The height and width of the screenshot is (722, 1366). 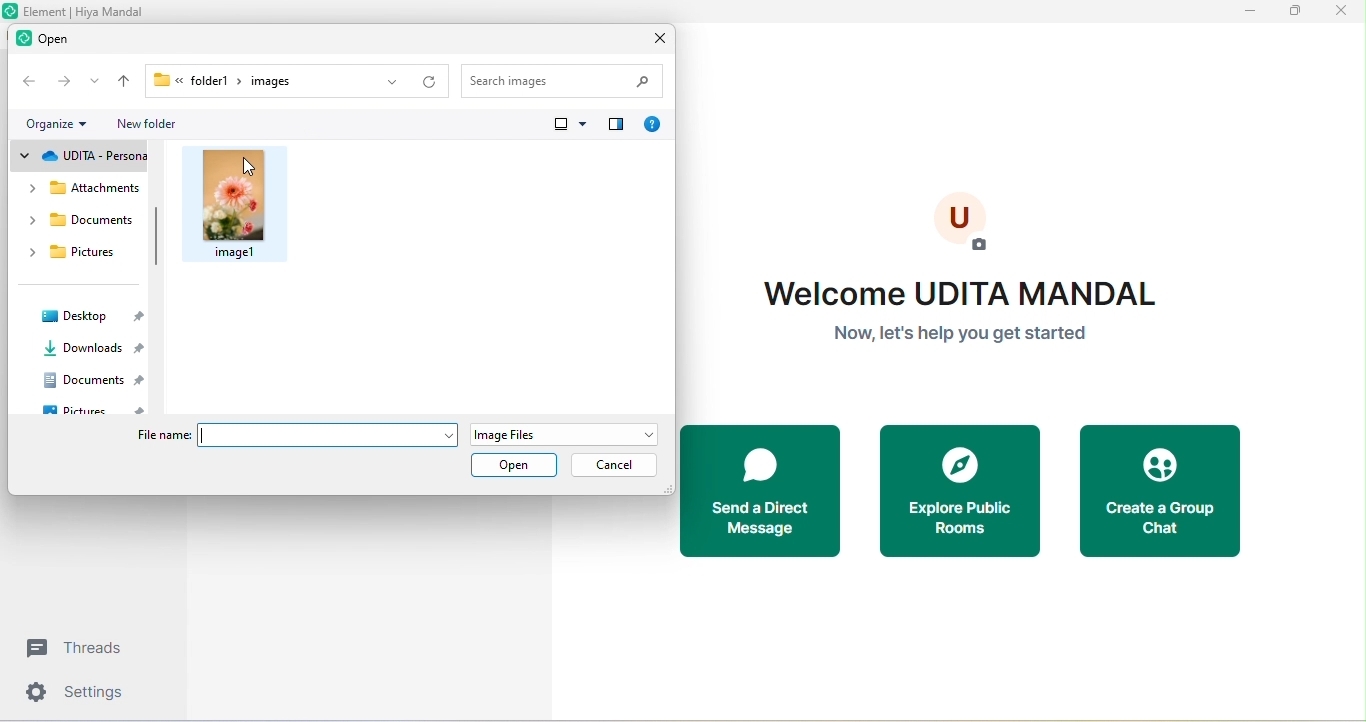 What do you see at coordinates (79, 695) in the screenshot?
I see `seeting` at bounding box center [79, 695].